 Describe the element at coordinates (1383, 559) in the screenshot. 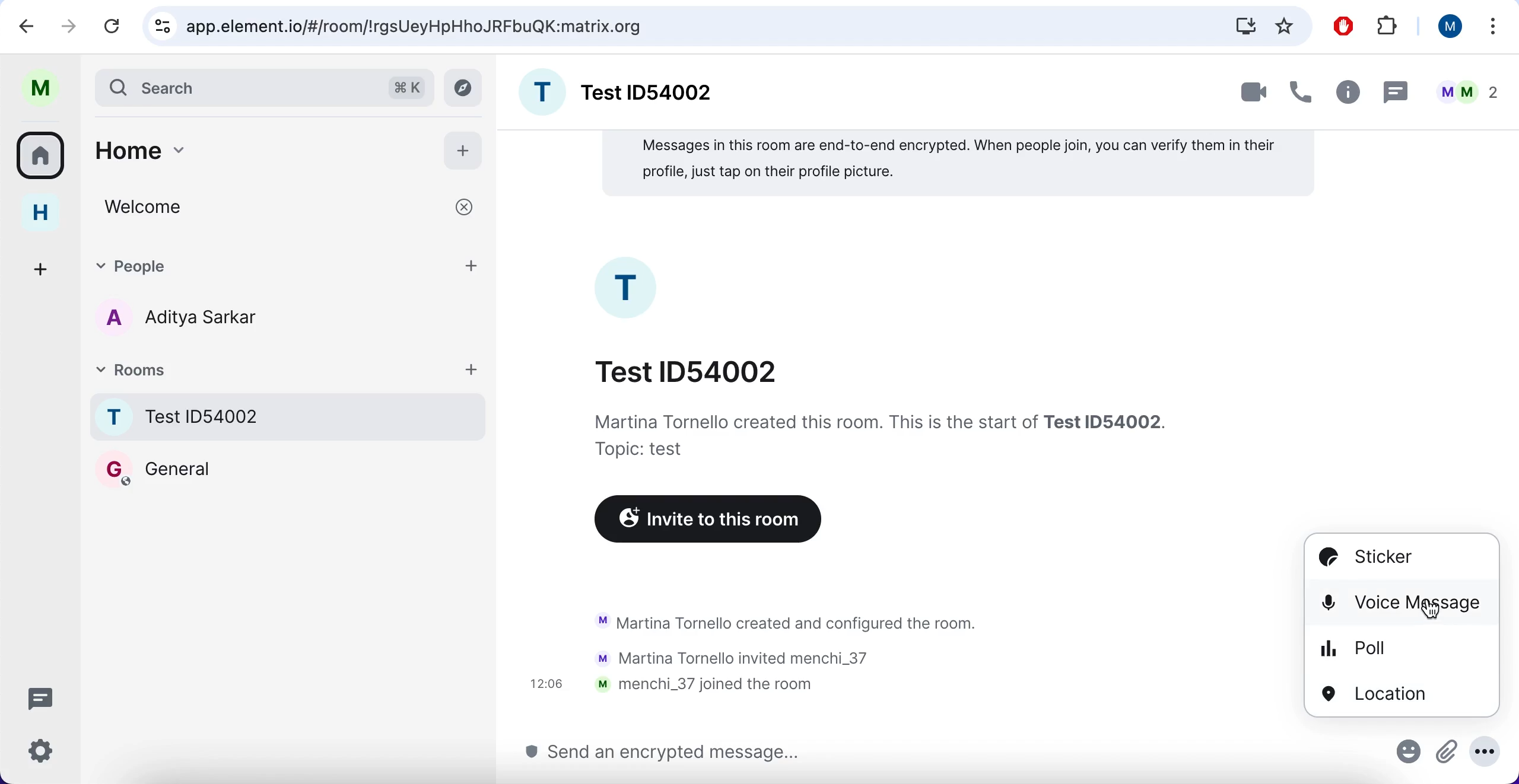

I see `sticker` at that location.